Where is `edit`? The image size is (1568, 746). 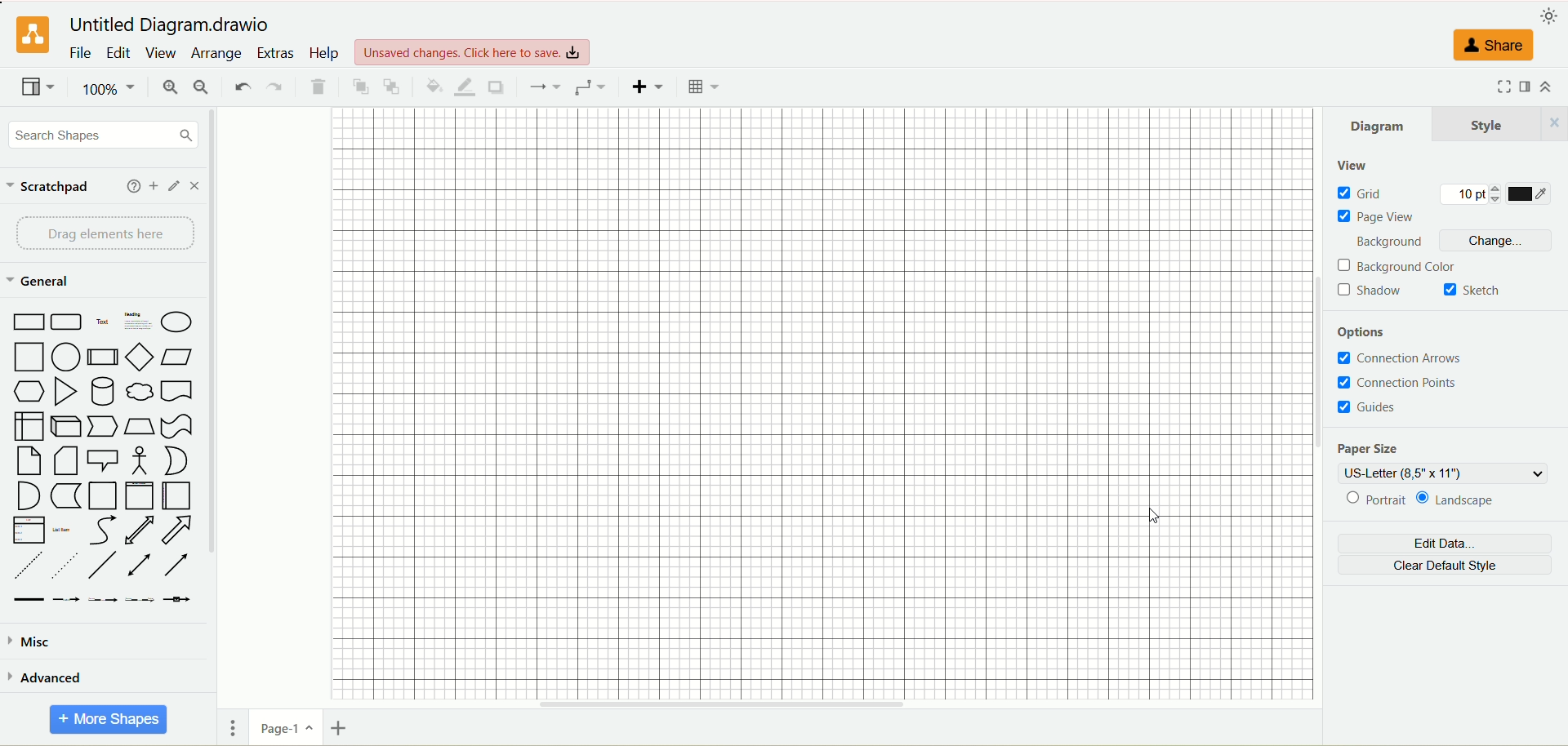 edit is located at coordinates (118, 54).